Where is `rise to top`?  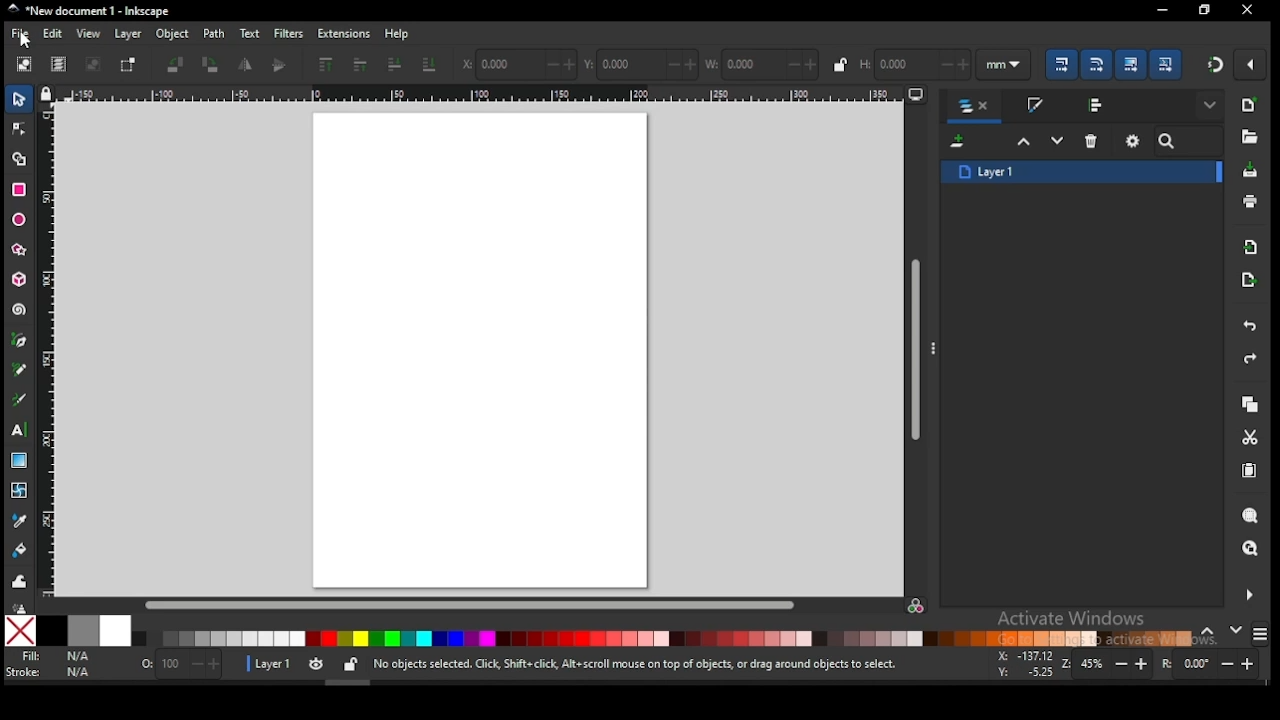
rise to top is located at coordinates (324, 65).